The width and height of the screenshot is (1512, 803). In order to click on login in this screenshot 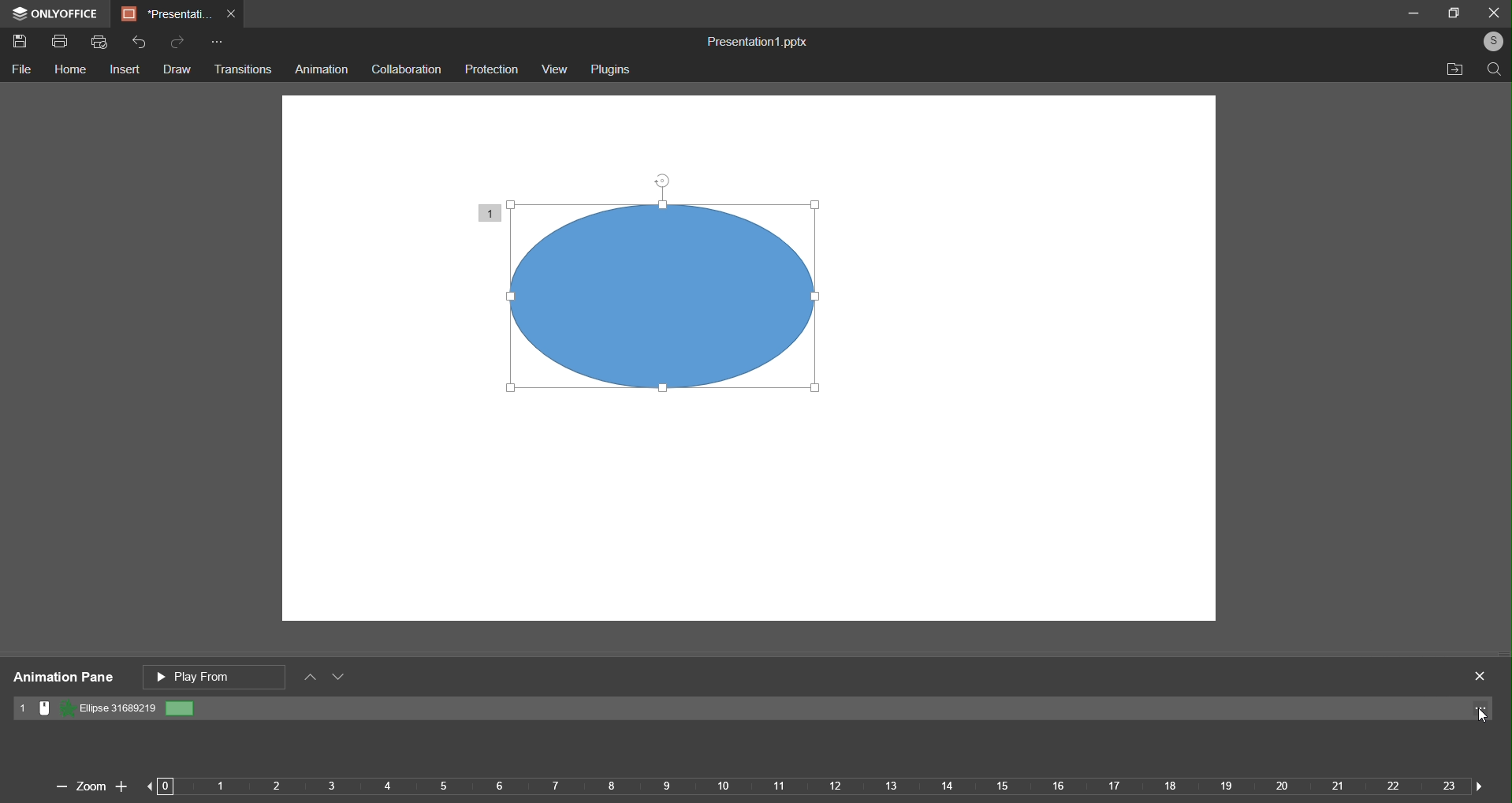, I will do `click(1492, 40)`.